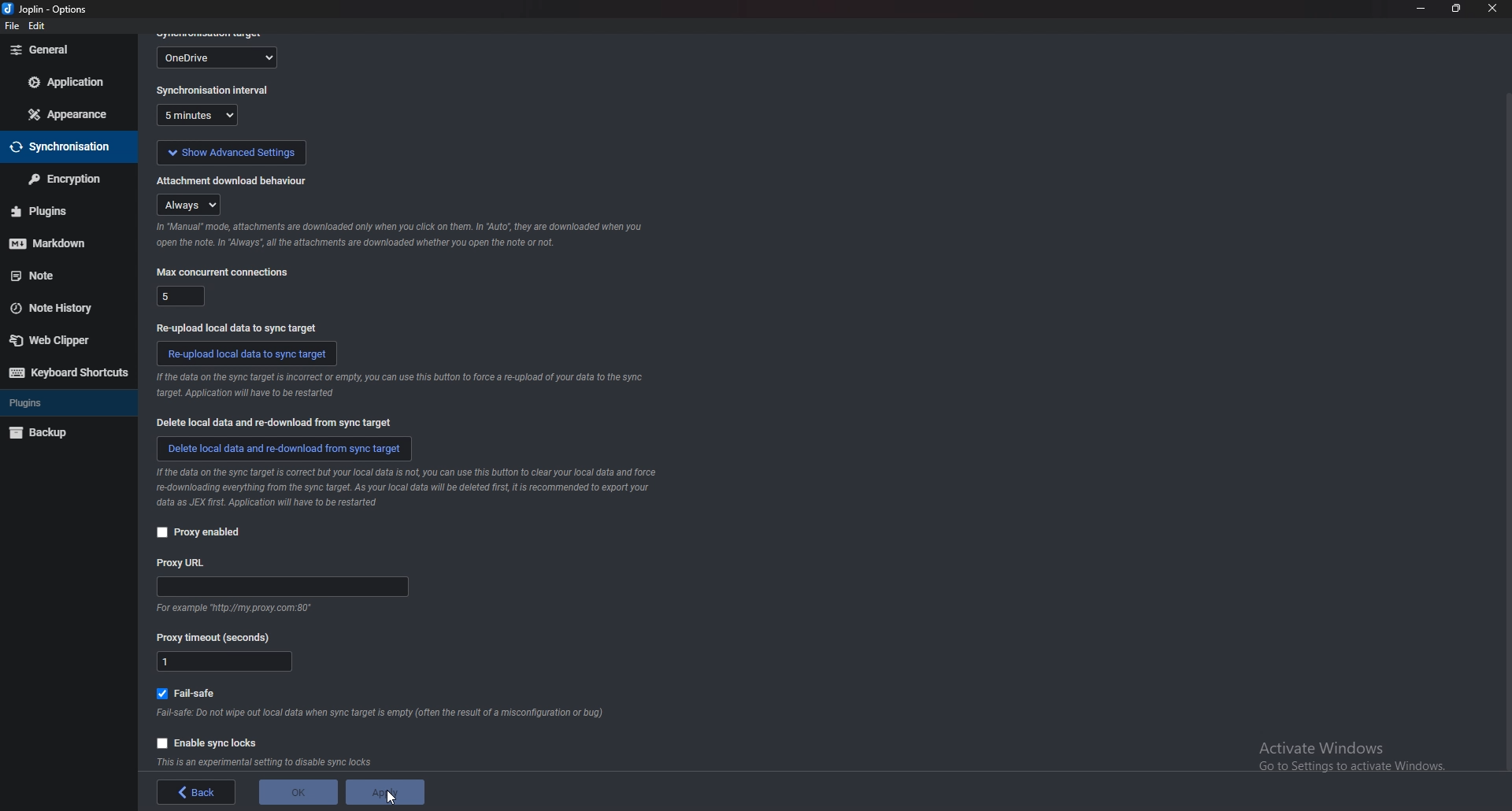  Describe the element at coordinates (248, 353) in the screenshot. I see `reupload local data` at that location.